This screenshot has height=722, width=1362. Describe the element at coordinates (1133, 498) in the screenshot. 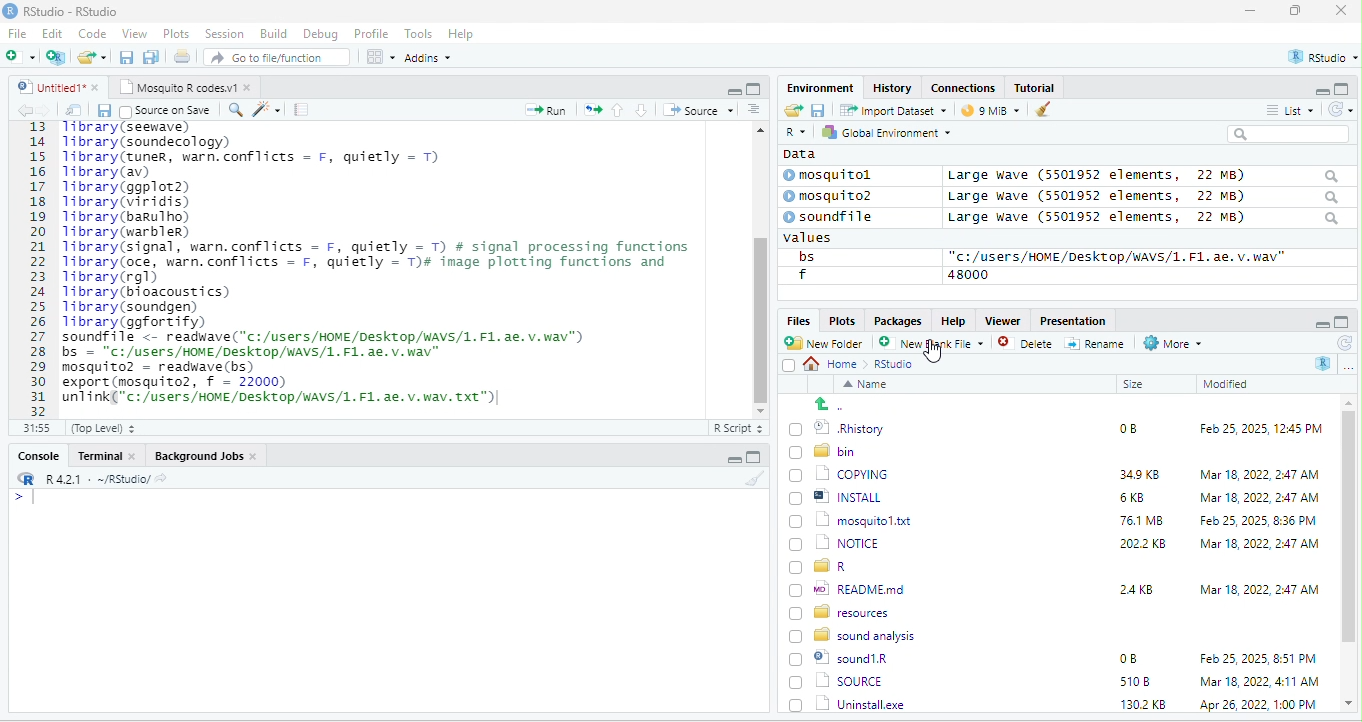

I see `6KB` at that location.